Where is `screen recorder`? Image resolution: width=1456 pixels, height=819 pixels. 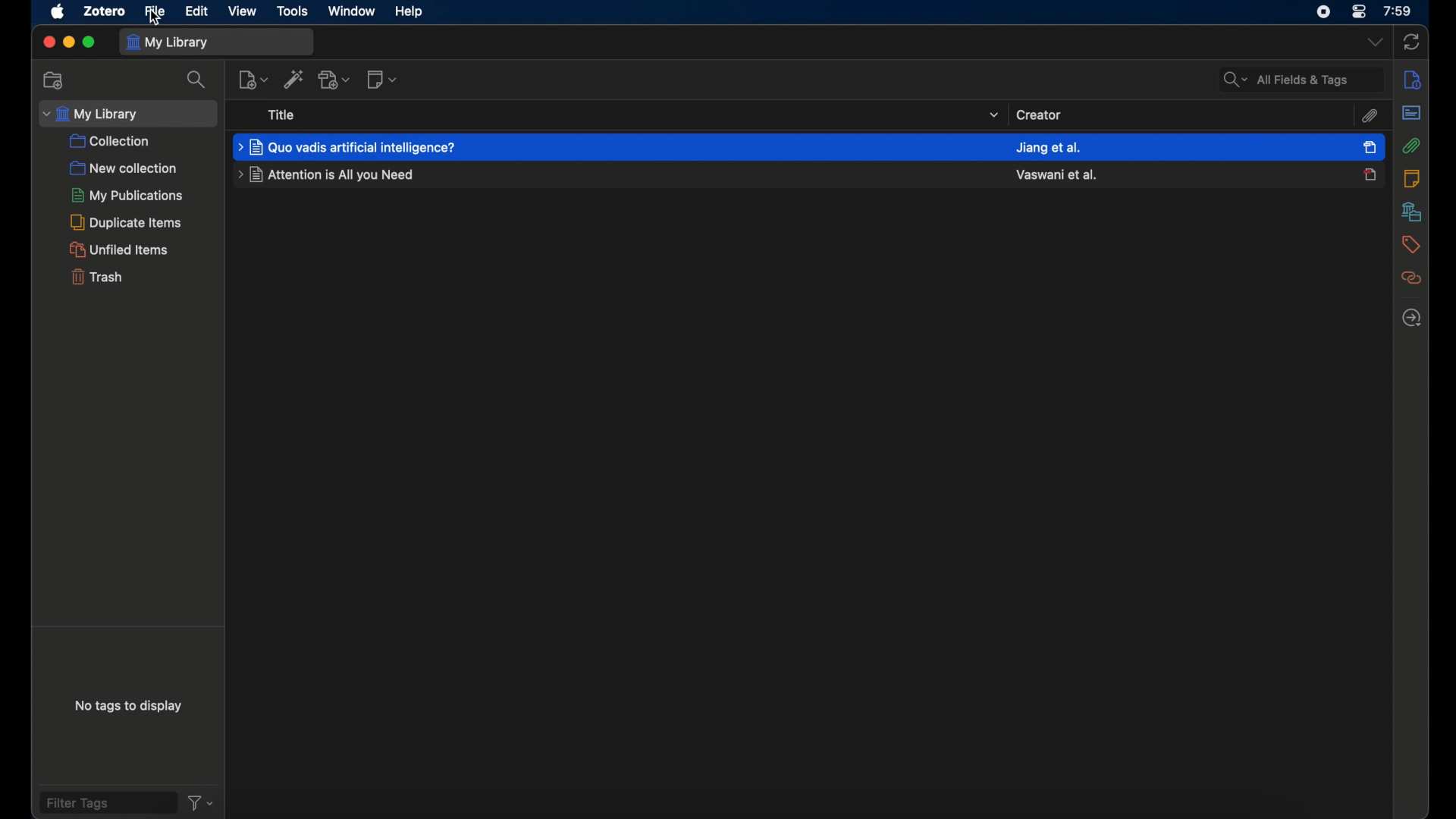
screen recorder is located at coordinates (1324, 11).